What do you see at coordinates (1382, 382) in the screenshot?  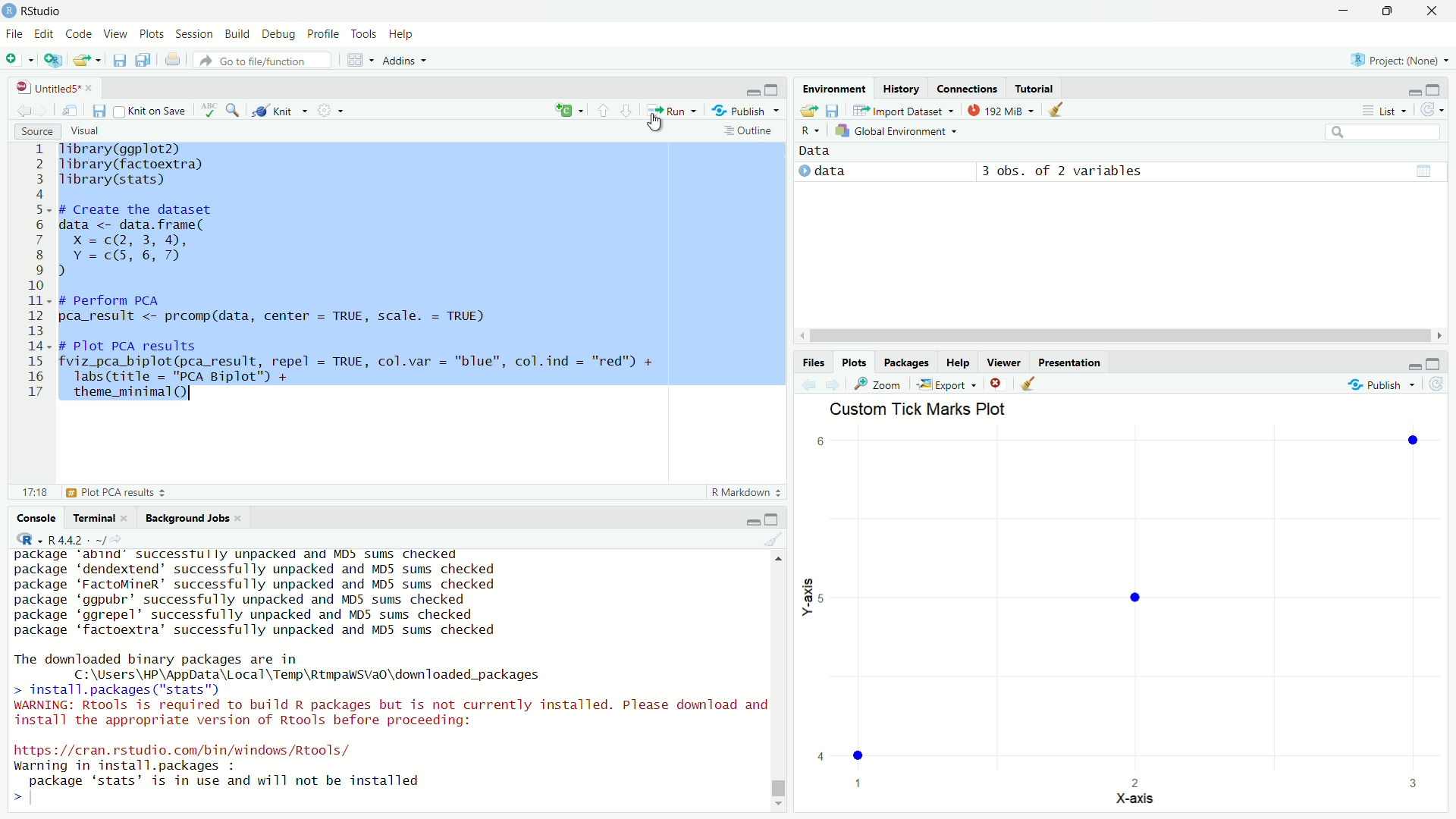 I see `publish` at bounding box center [1382, 382].